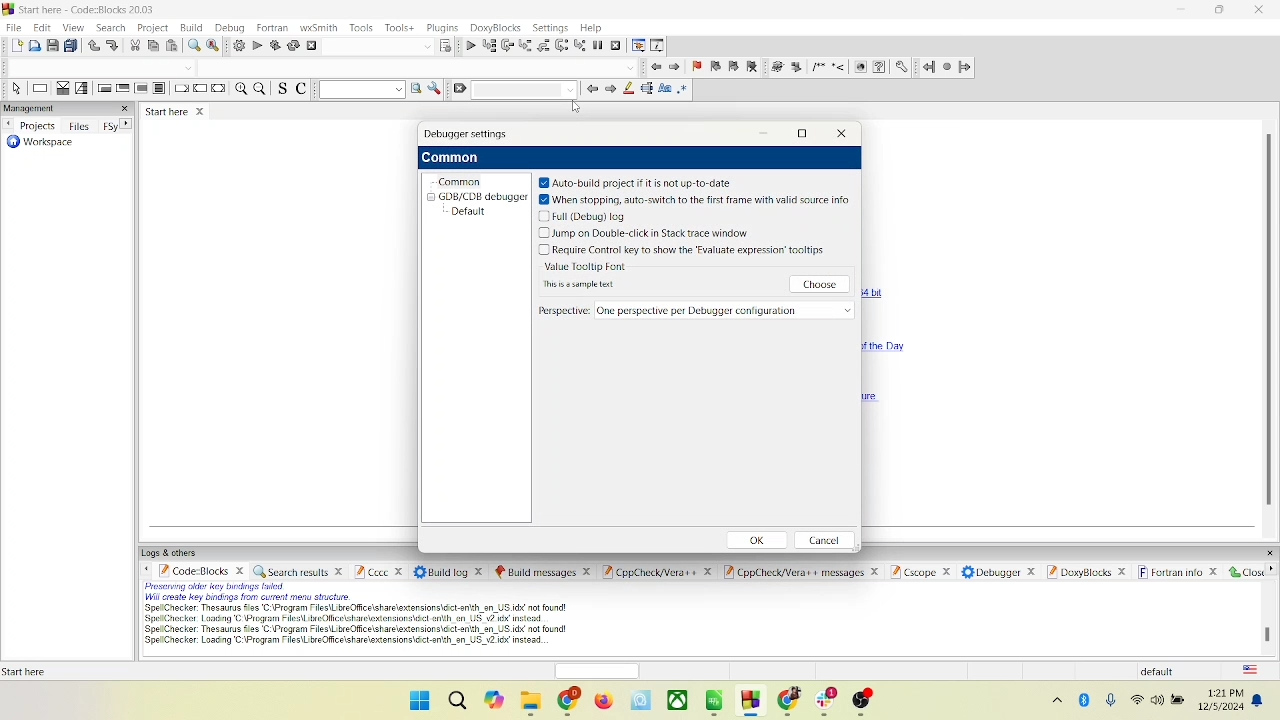 The image size is (1280, 720). What do you see at coordinates (240, 46) in the screenshot?
I see `build` at bounding box center [240, 46].